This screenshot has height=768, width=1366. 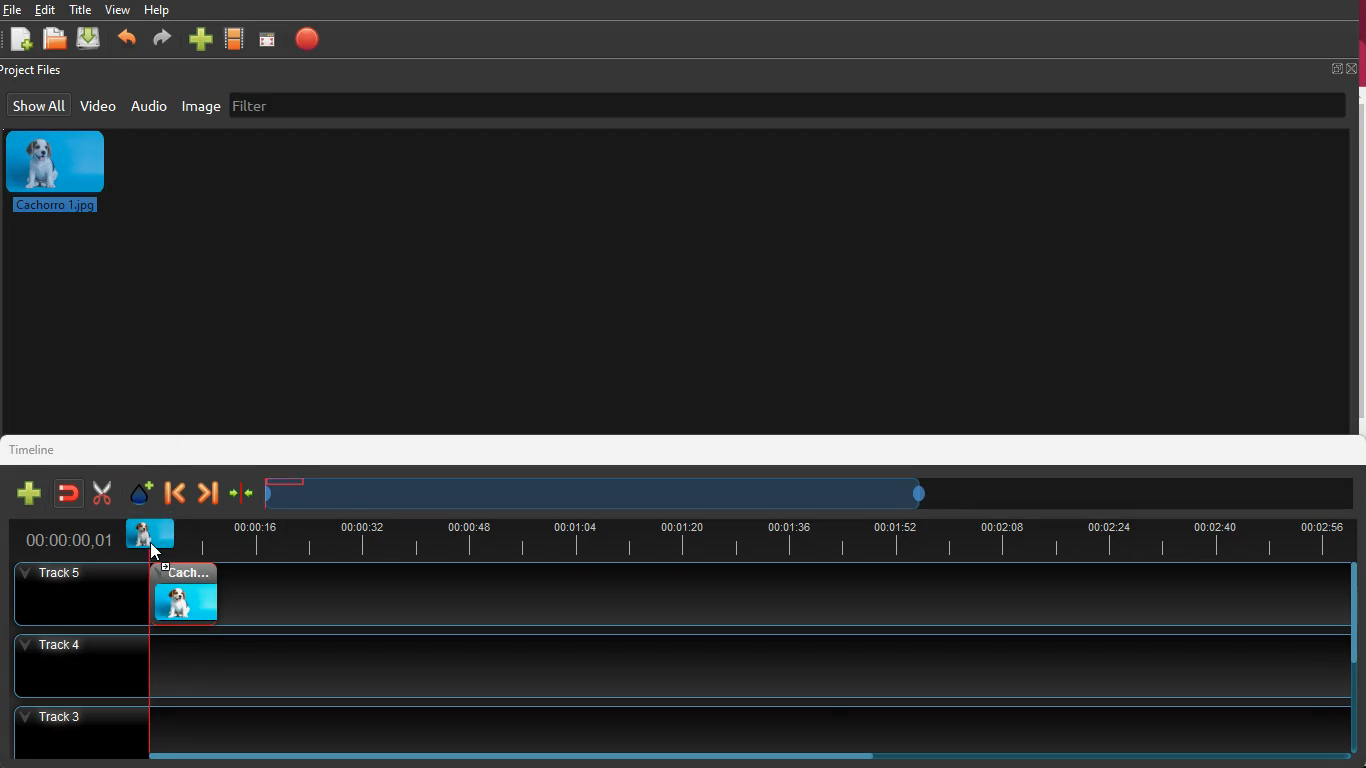 I want to click on effect, so click(x=140, y=492).